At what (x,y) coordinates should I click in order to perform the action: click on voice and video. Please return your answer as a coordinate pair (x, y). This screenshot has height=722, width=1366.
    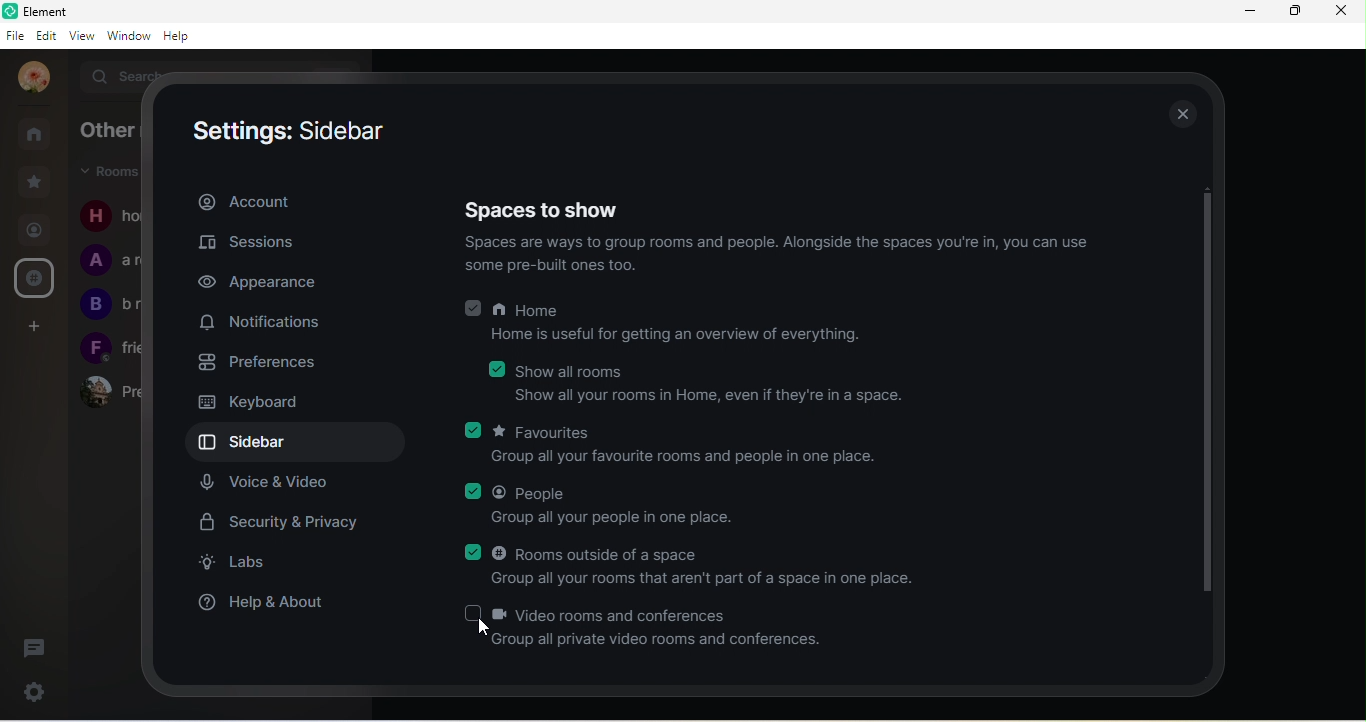
    Looking at the image, I should click on (269, 483).